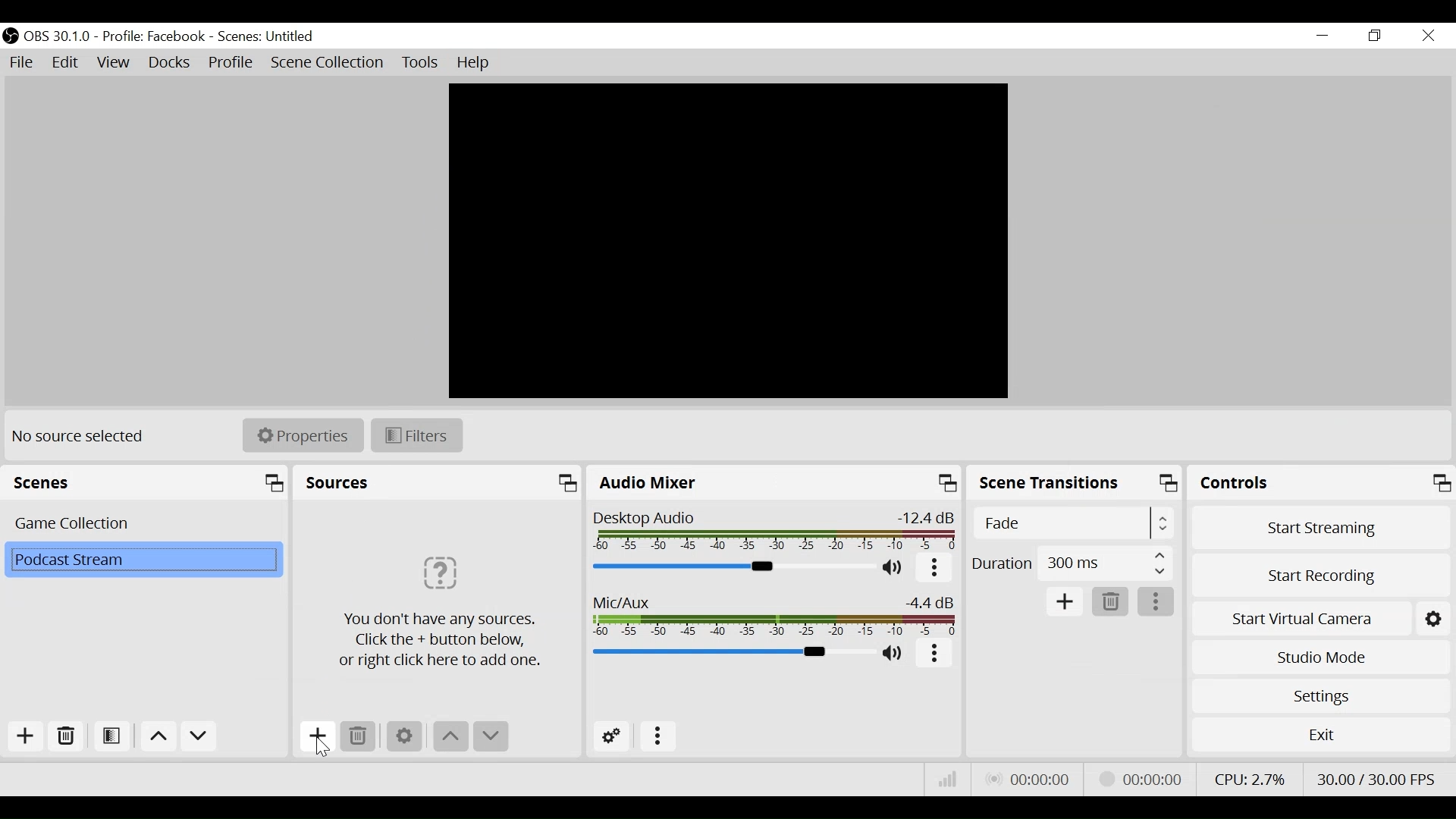  Describe the element at coordinates (1075, 482) in the screenshot. I see `Scene Transitions Panel` at that location.